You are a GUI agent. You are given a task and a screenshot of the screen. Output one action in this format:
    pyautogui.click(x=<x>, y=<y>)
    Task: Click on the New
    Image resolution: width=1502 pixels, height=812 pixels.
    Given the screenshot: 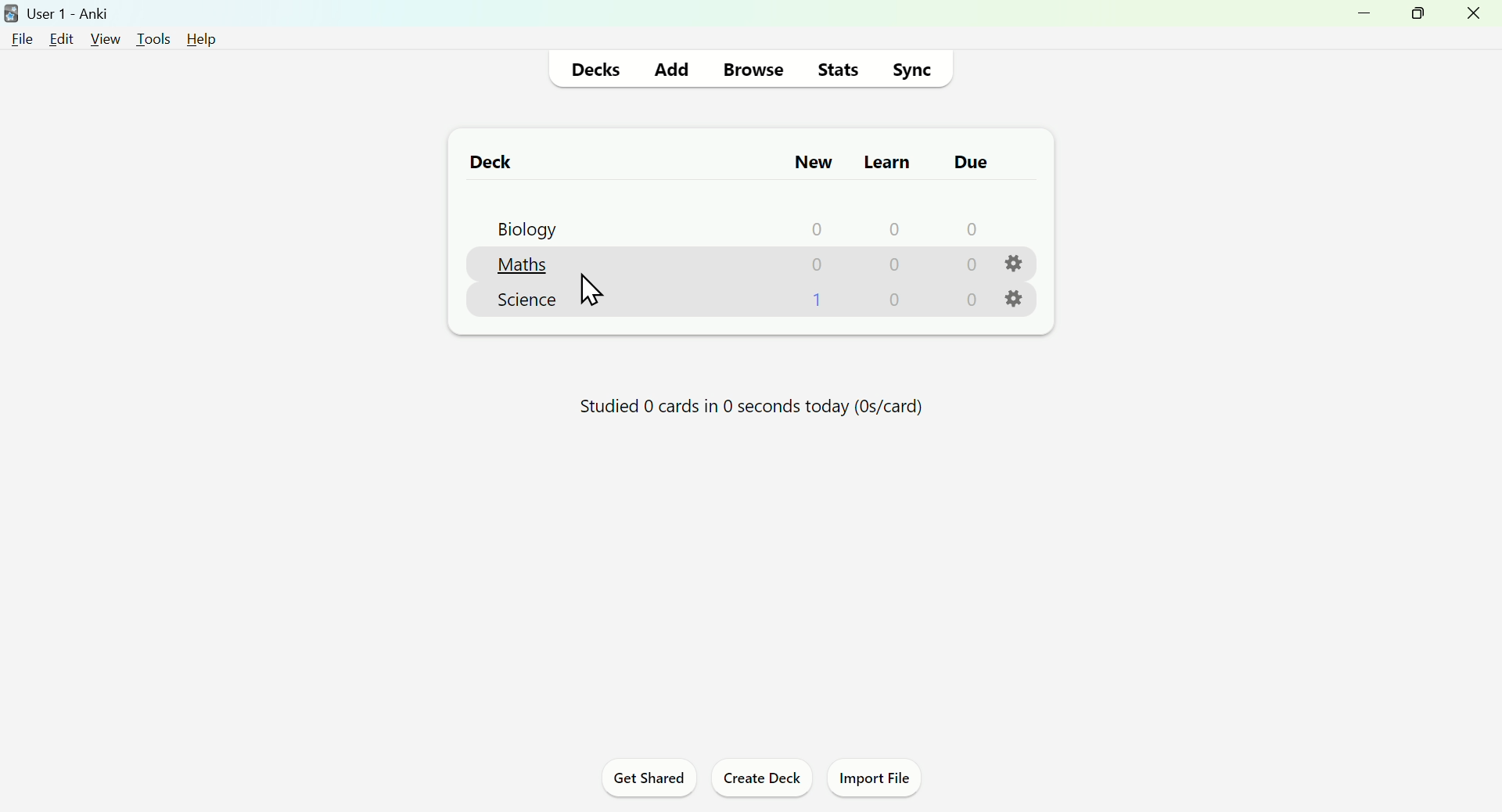 What is the action you would take?
    pyautogui.click(x=811, y=161)
    